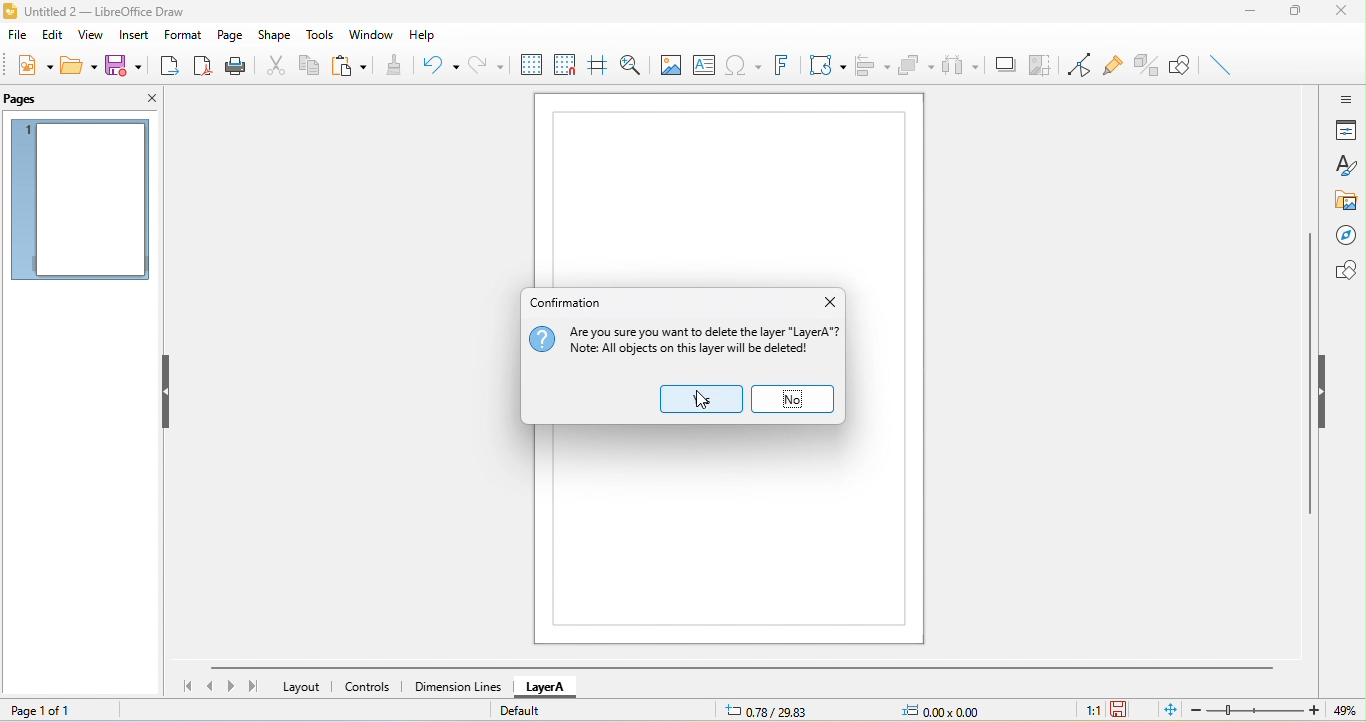  I want to click on transformation, so click(823, 67).